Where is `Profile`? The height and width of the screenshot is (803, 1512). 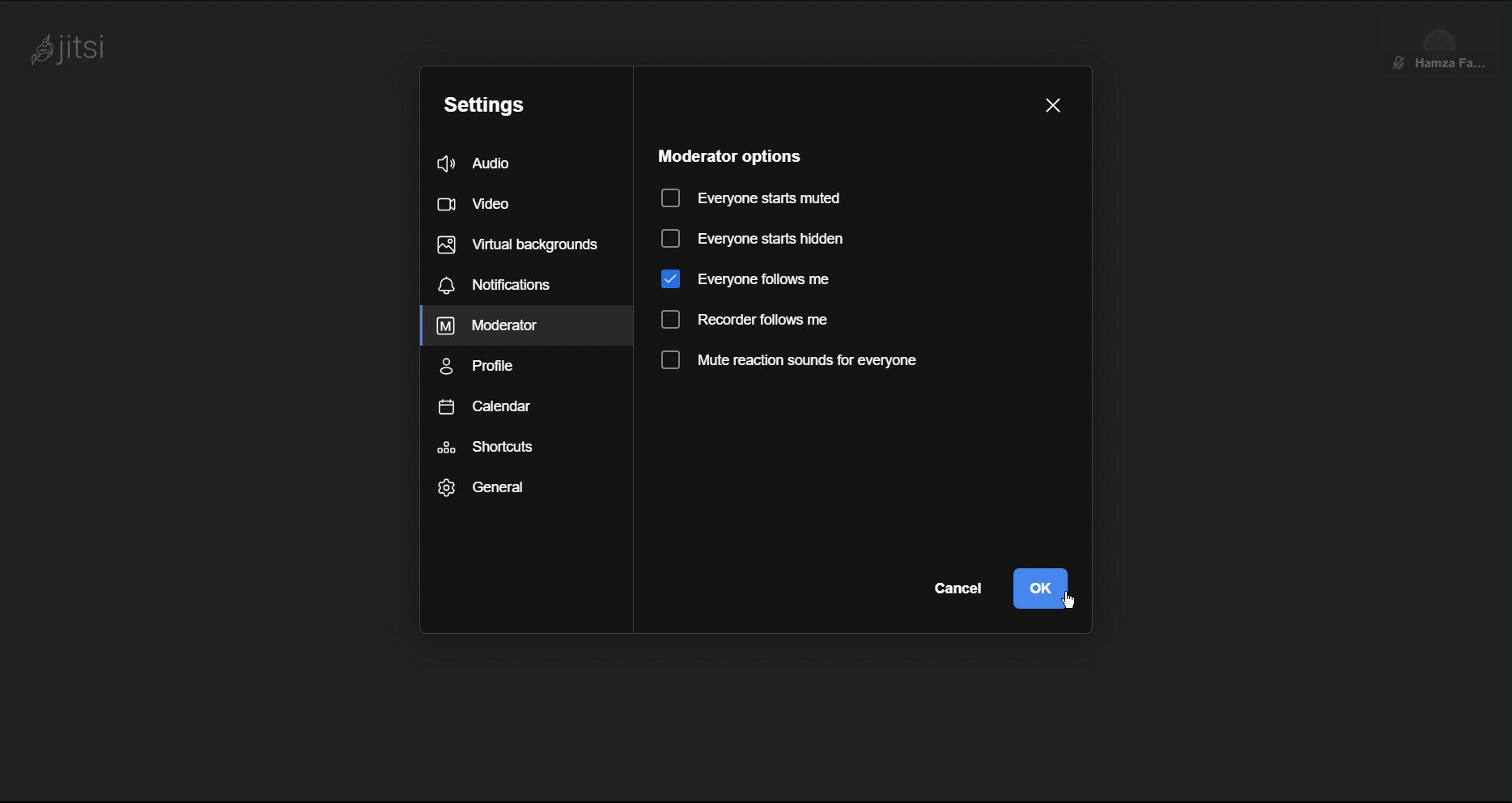
Profile is located at coordinates (483, 367).